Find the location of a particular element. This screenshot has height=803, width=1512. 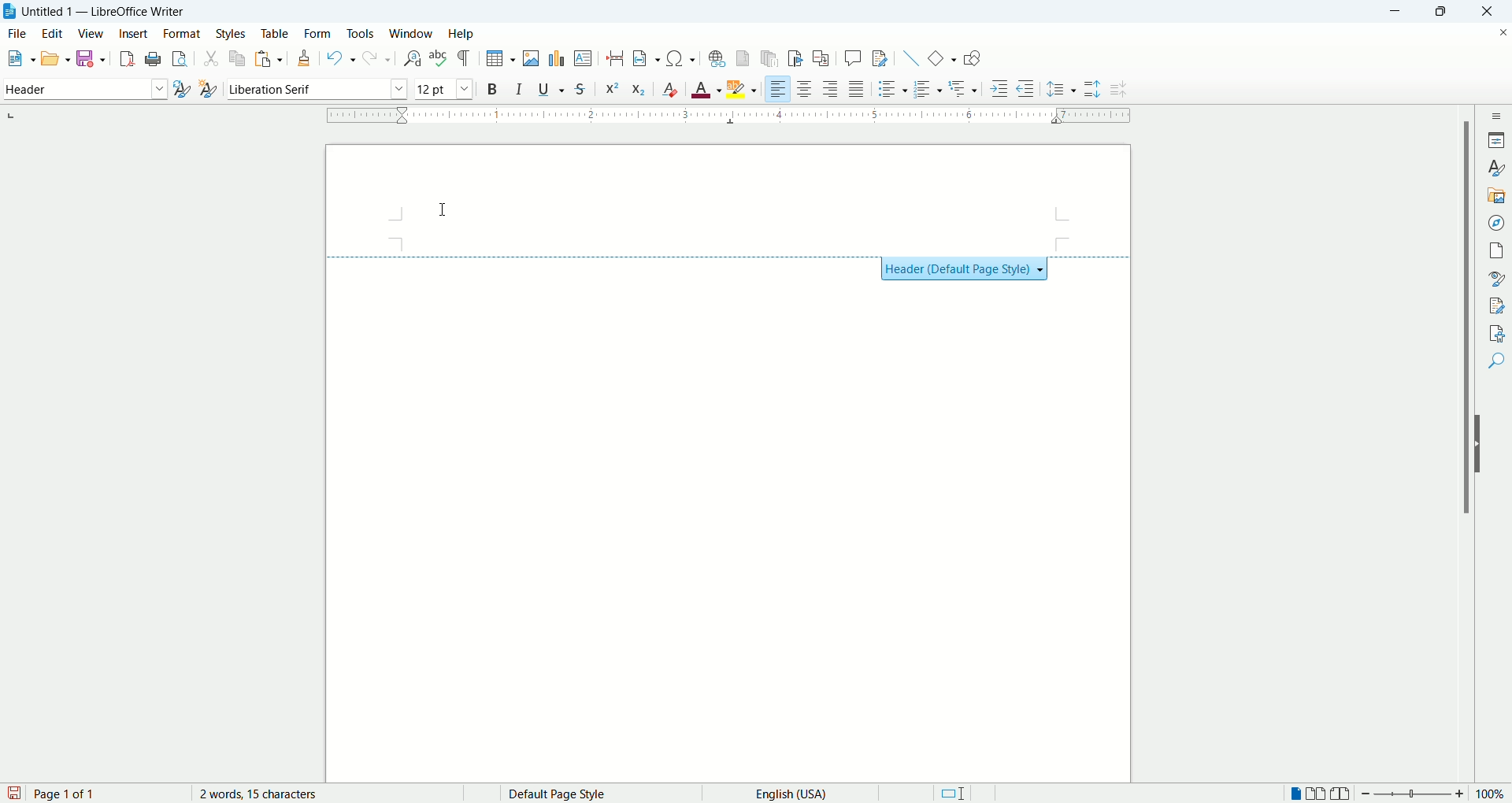

pages is located at coordinates (1498, 250).